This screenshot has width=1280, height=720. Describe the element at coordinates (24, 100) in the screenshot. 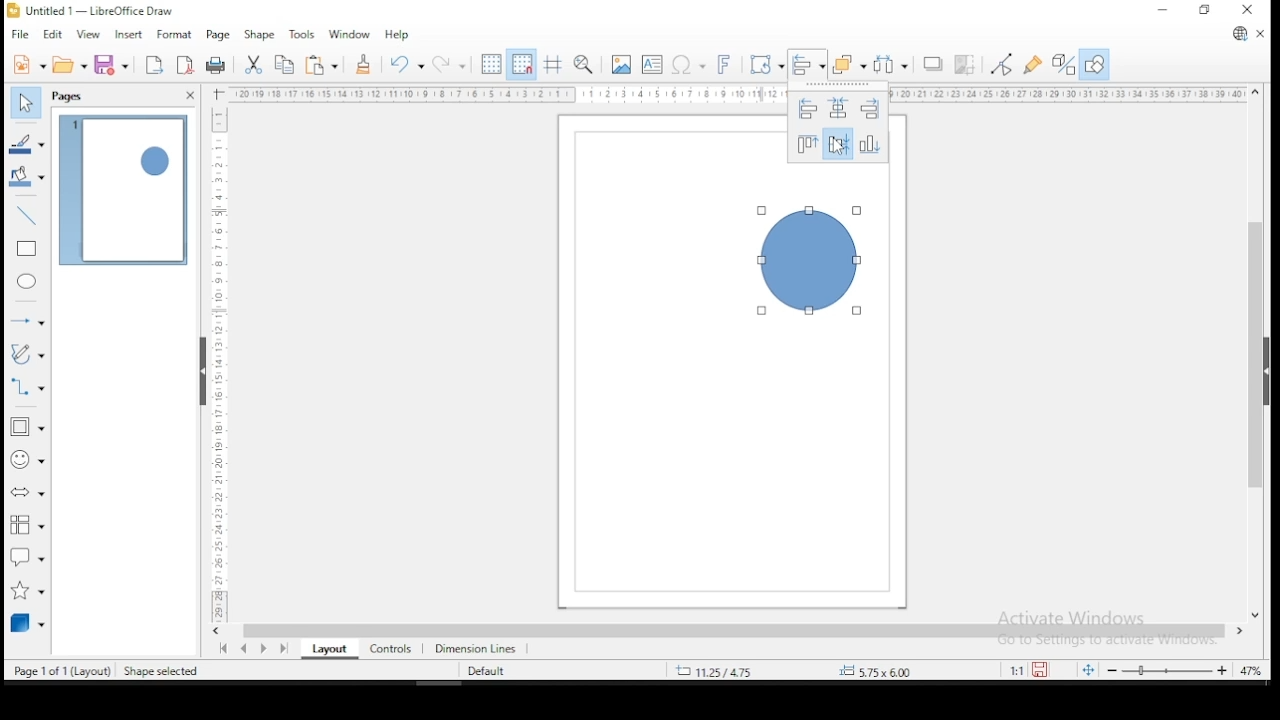

I see `select` at that location.